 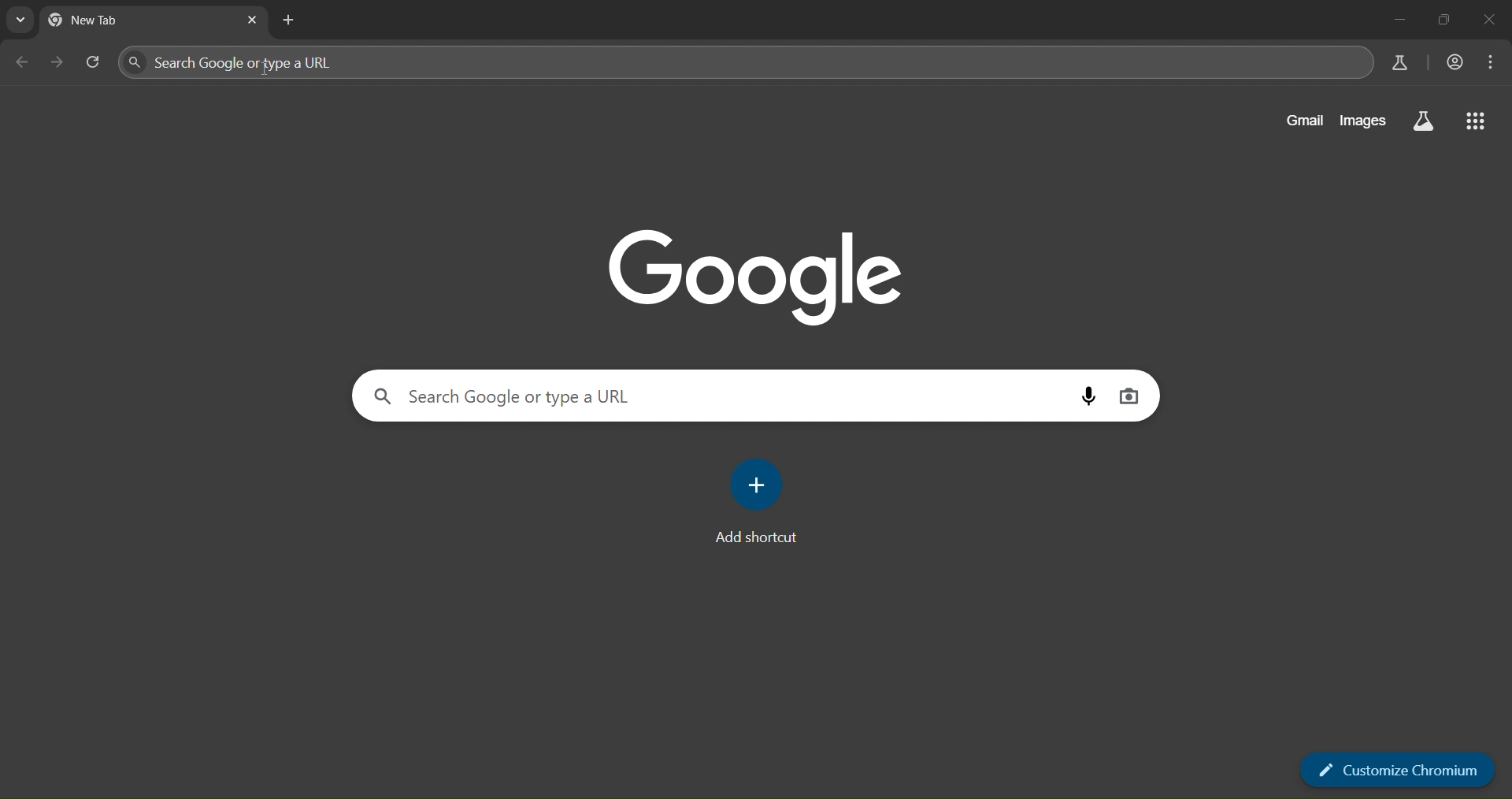 What do you see at coordinates (1455, 61) in the screenshot?
I see `accounts` at bounding box center [1455, 61].